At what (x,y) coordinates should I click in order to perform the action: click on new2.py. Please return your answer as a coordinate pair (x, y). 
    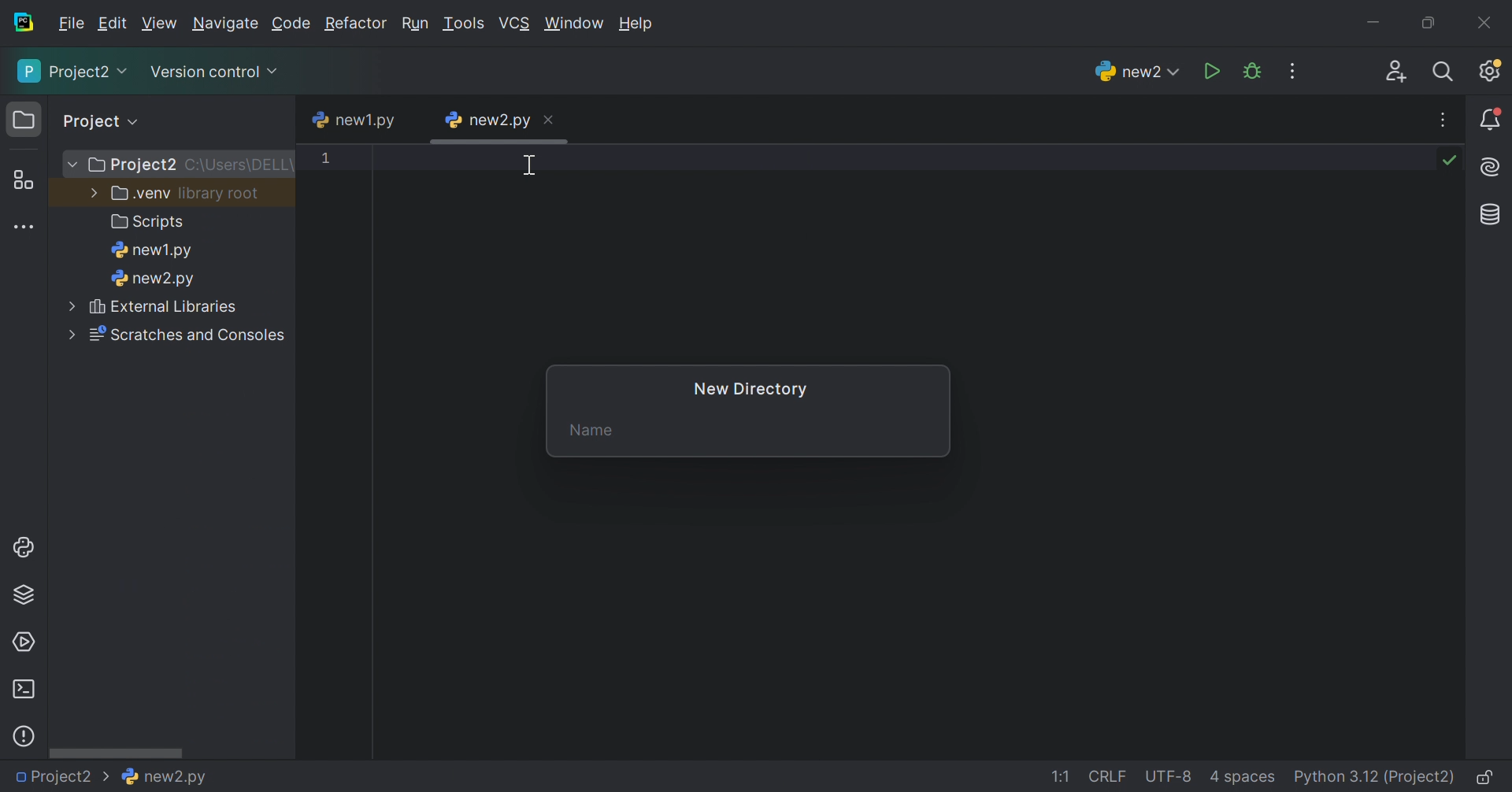
    Looking at the image, I should click on (158, 279).